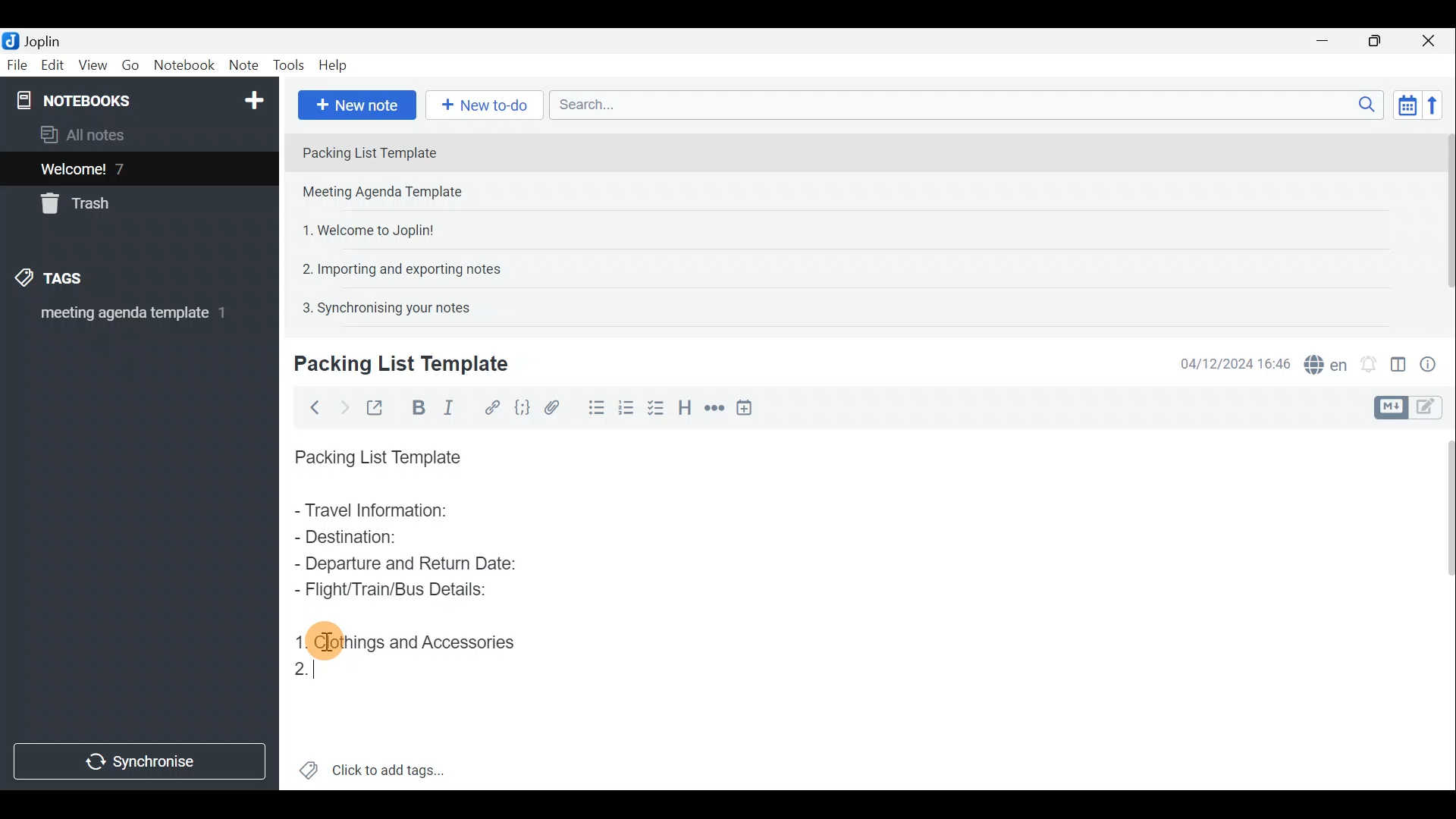  What do you see at coordinates (712, 408) in the screenshot?
I see `Horizontal rule` at bounding box center [712, 408].